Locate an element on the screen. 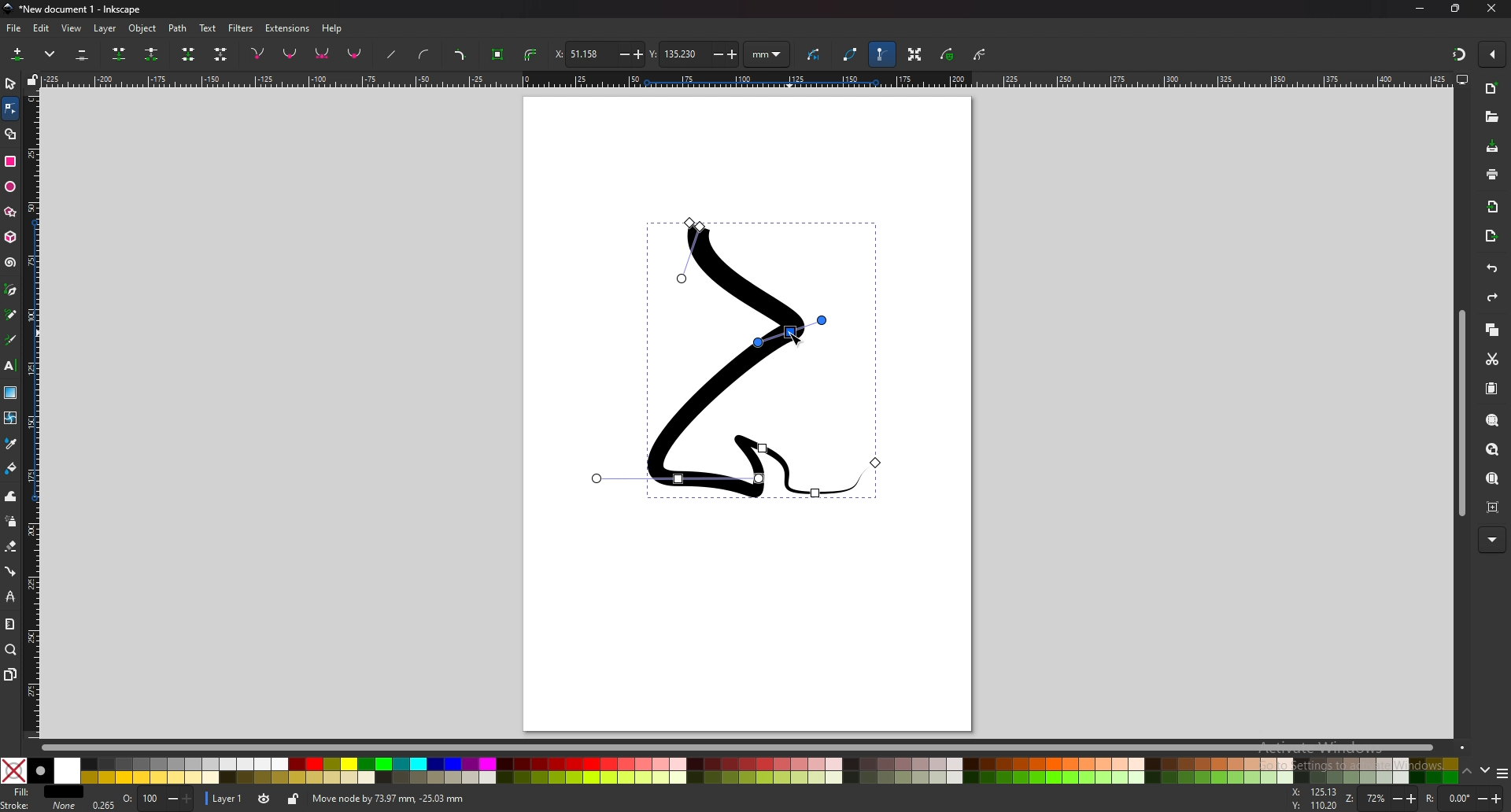 The width and height of the screenshot is (1511, 812). snapping is located at coordinates (1457, 52).